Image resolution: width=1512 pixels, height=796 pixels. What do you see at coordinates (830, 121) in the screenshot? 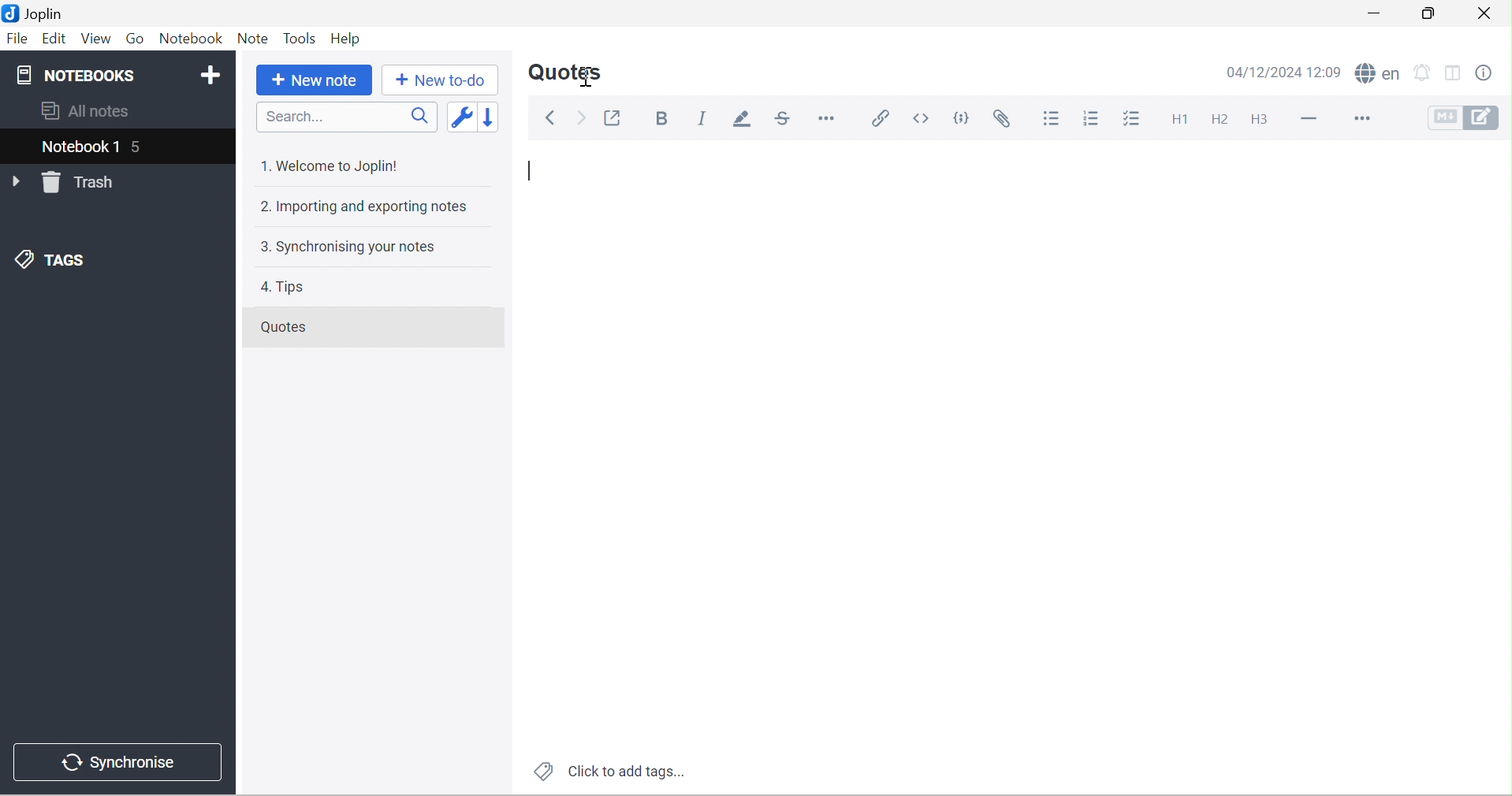
I see `Horizontal` at bounding box center [830, 121].